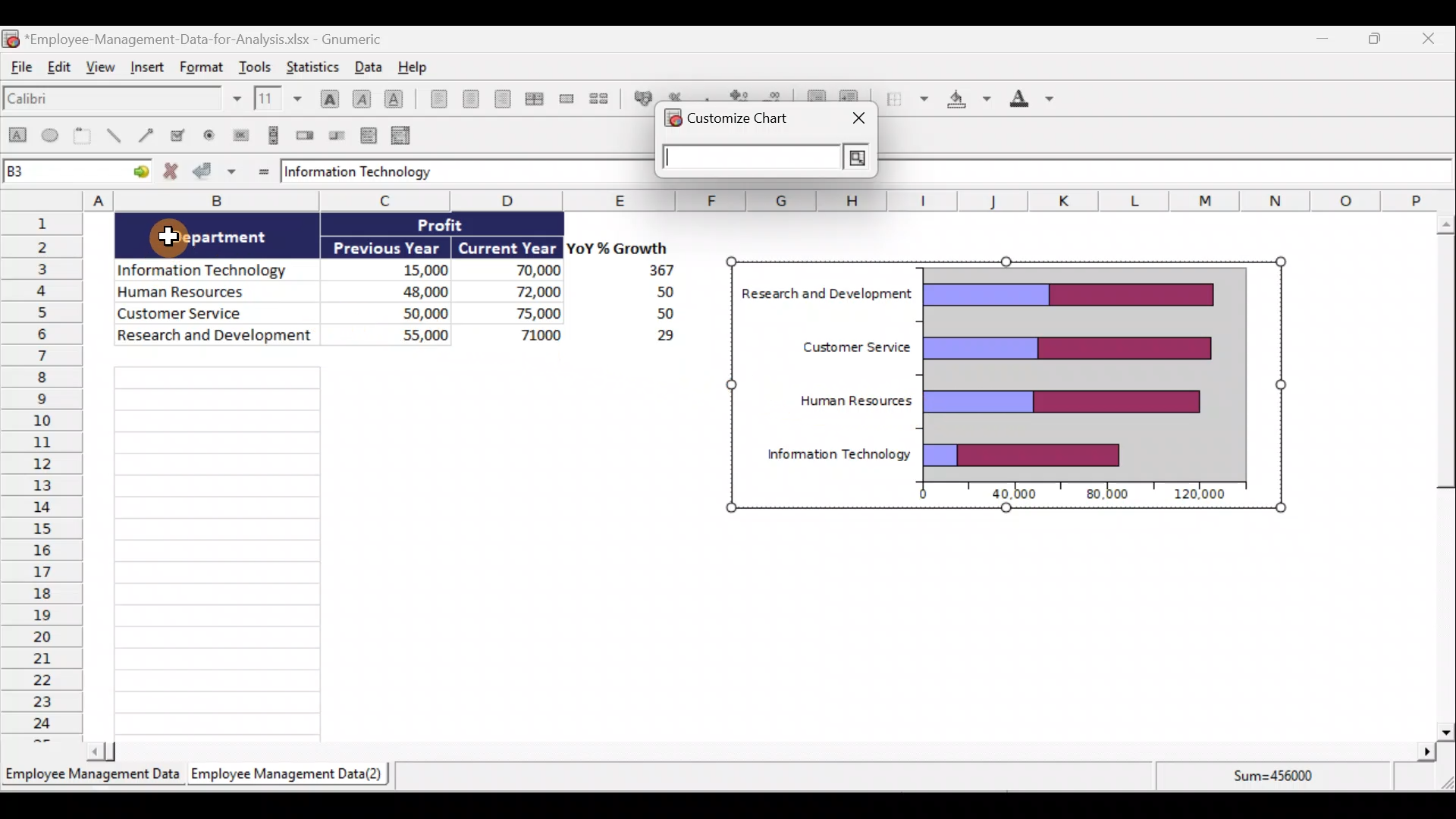 Image resolution: width=1456 pixels, height=819 pixels. Describe the element at coordinates (327, 93) in the screenshot. I see `Bold` at that location.